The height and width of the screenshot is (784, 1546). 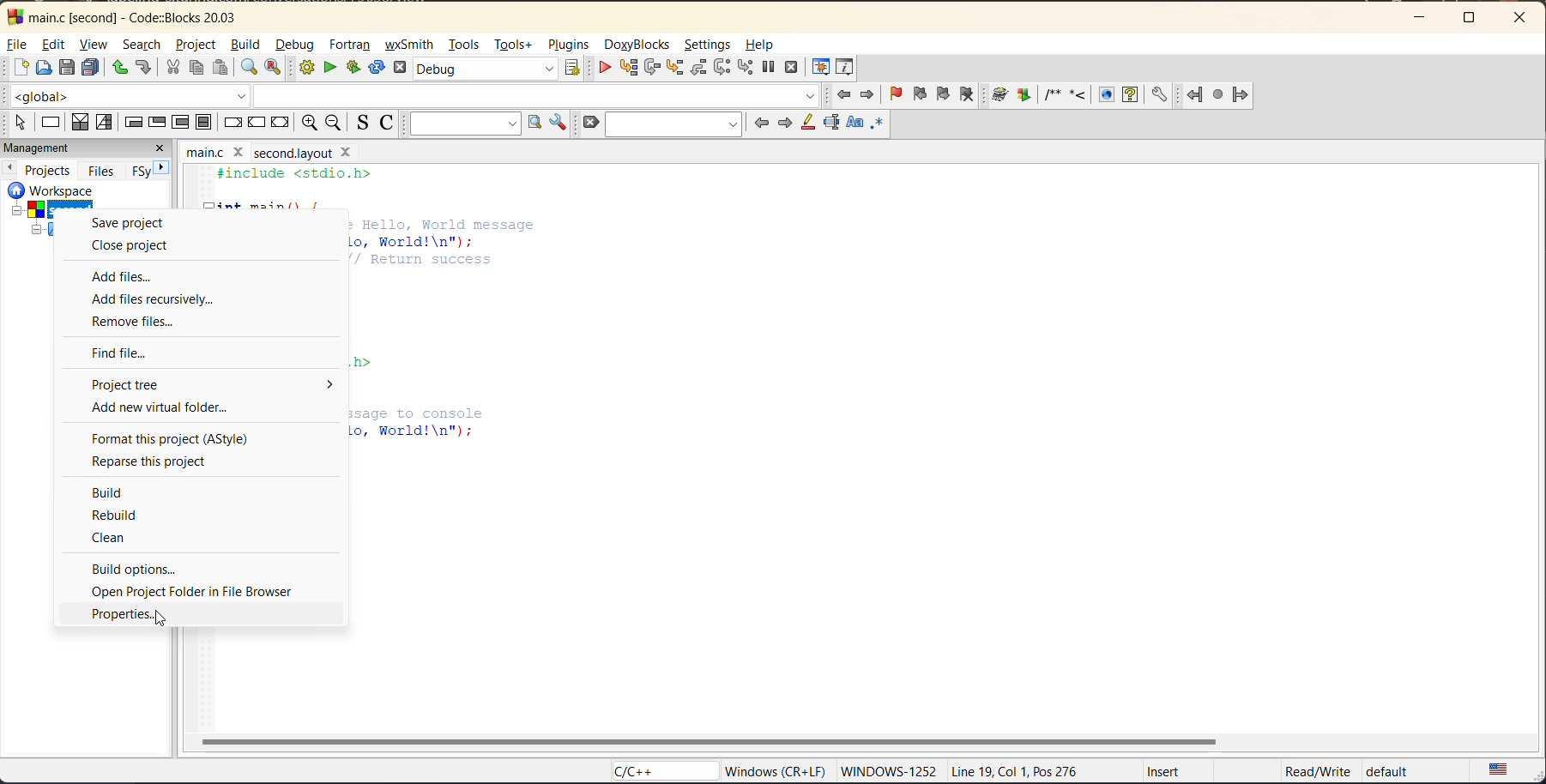 What do you see at coordinates (137, 244) in the screenshot?
I see `close project` at bounding box center [137, 244].